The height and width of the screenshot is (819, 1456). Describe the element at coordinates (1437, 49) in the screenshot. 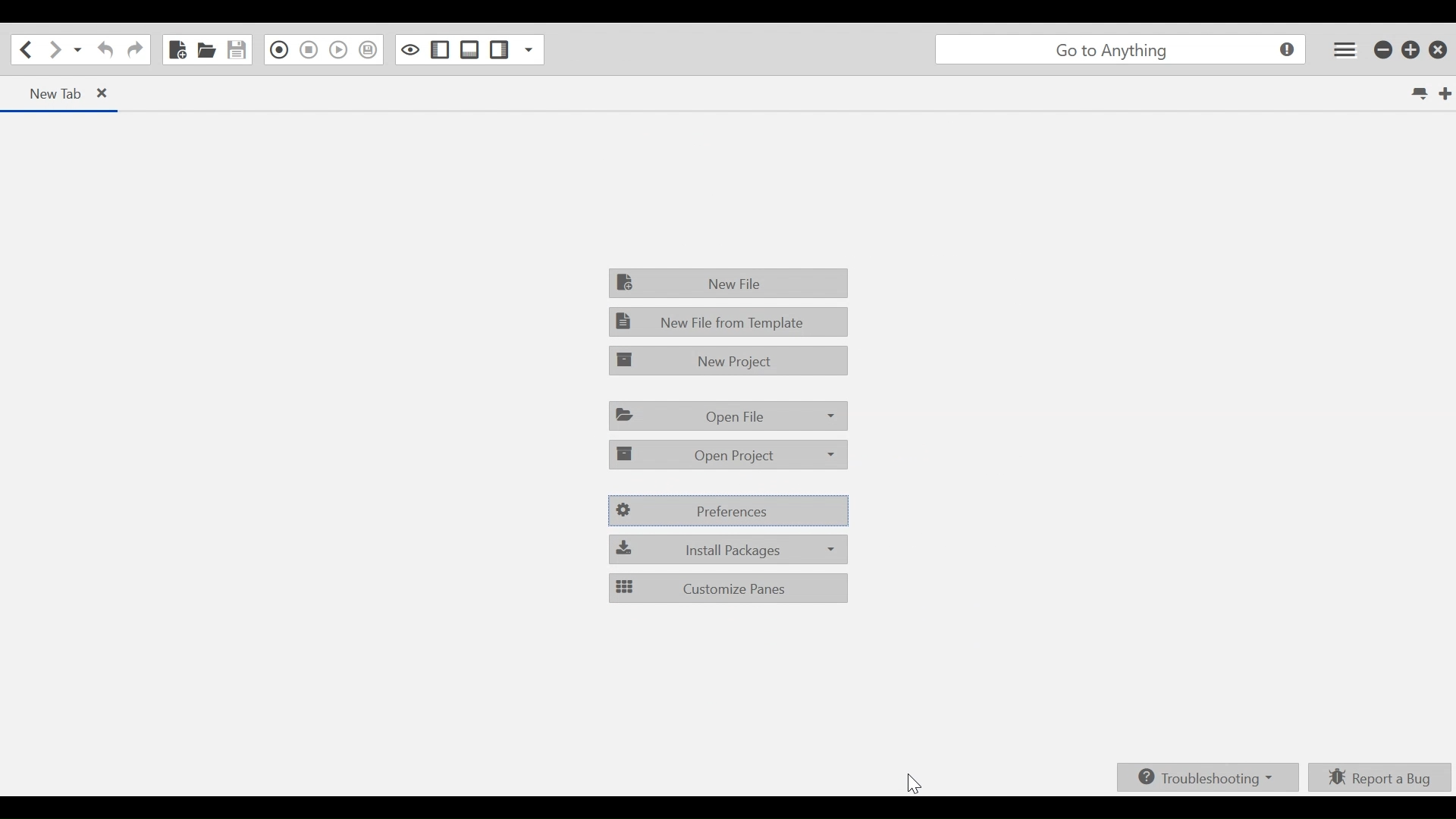

I see `Close` at that location.